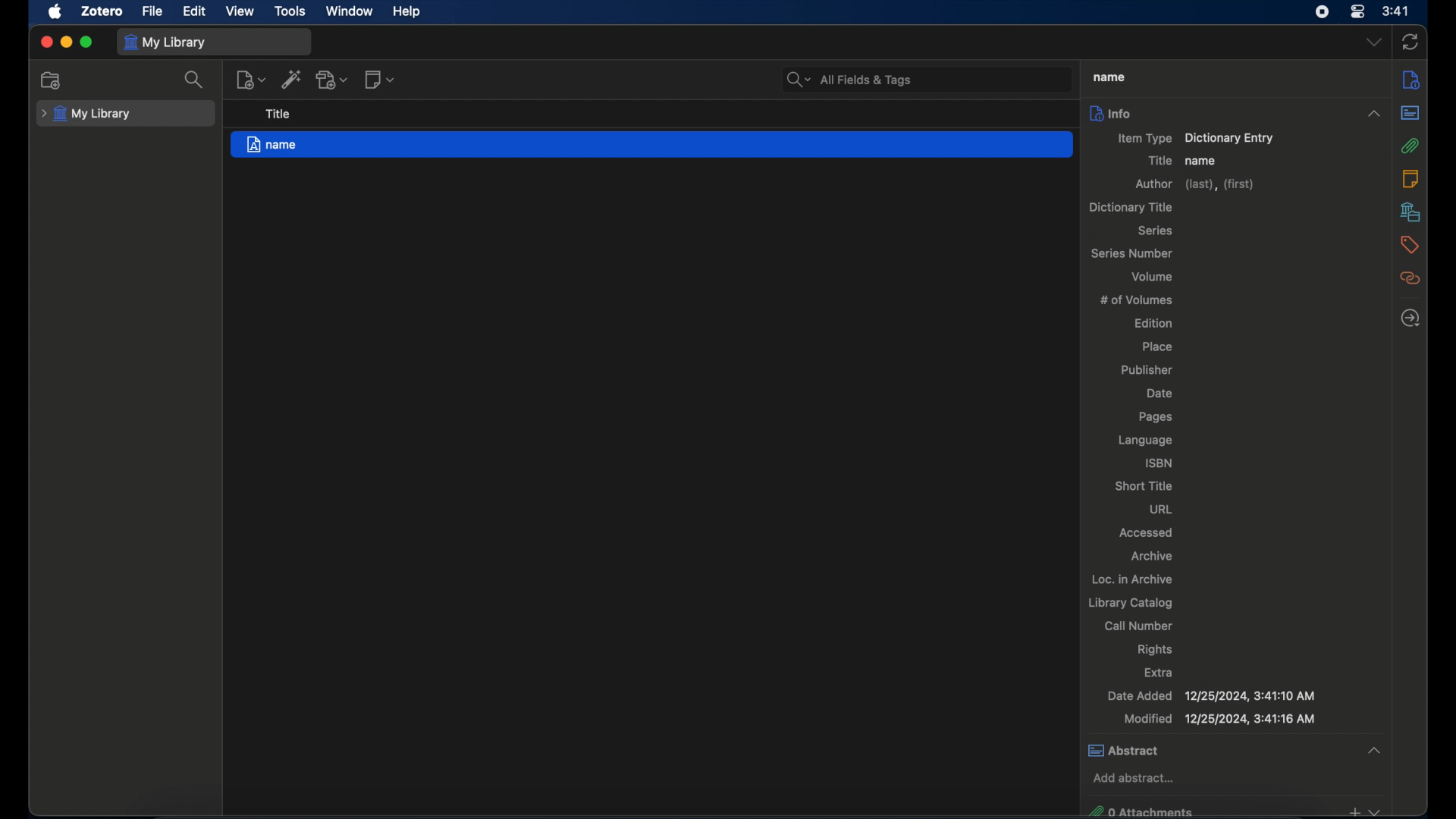  Describe the element at coordinates (1410, 42) in the screenshot. I see `sync` at that location.